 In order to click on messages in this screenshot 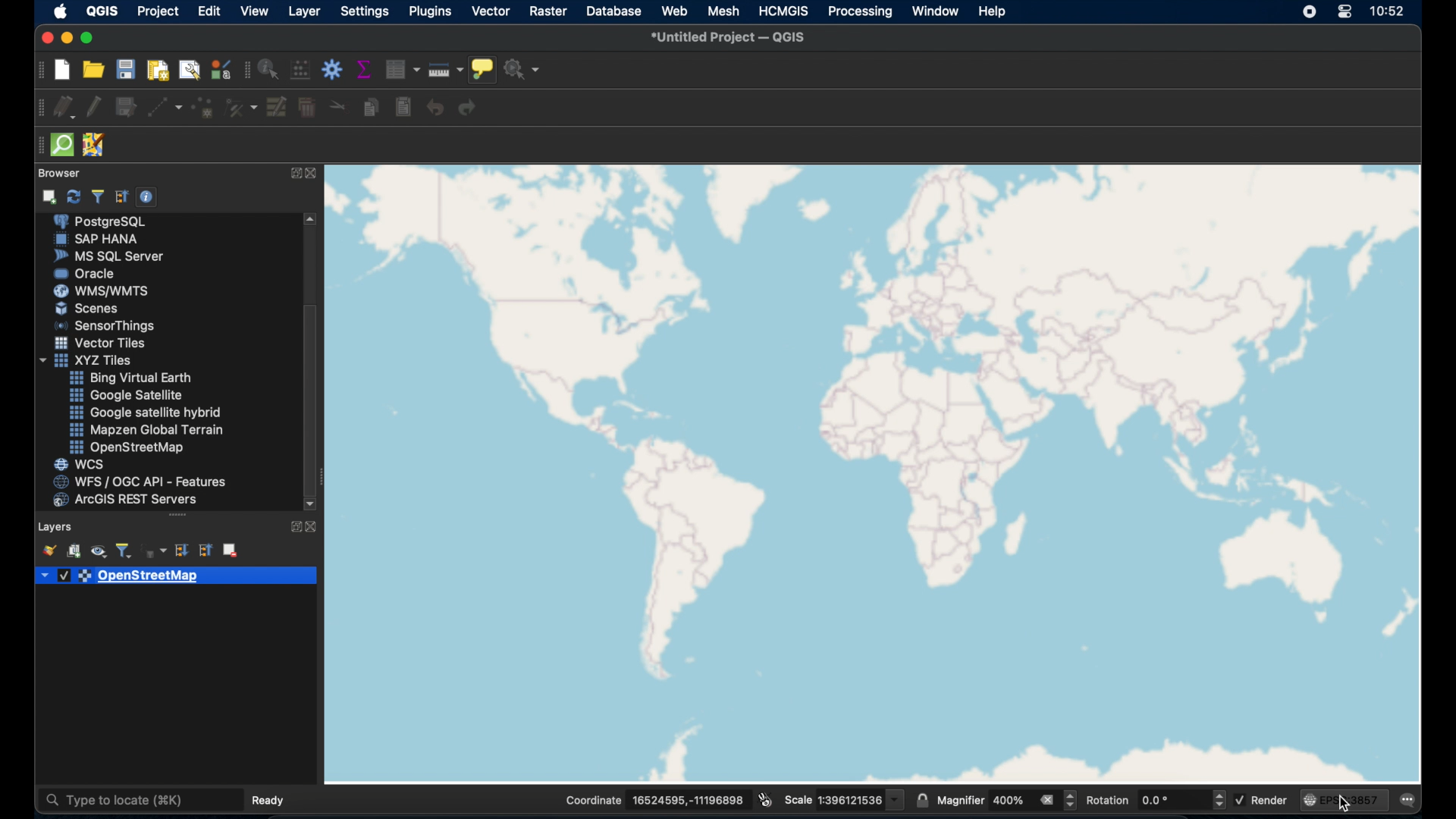, I will do `click(1411, 801)`.